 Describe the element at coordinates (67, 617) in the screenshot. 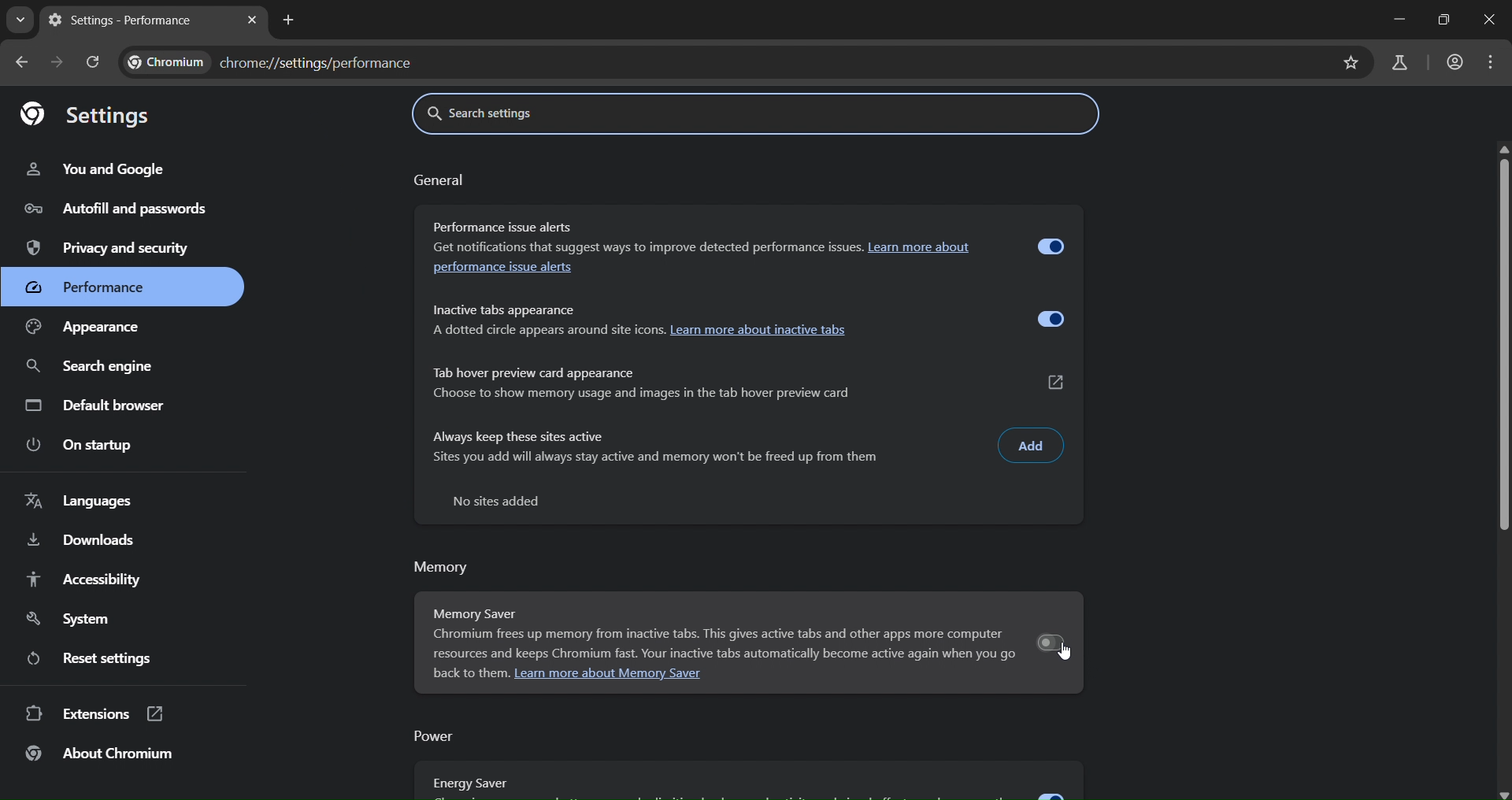

I see `System` at that location.